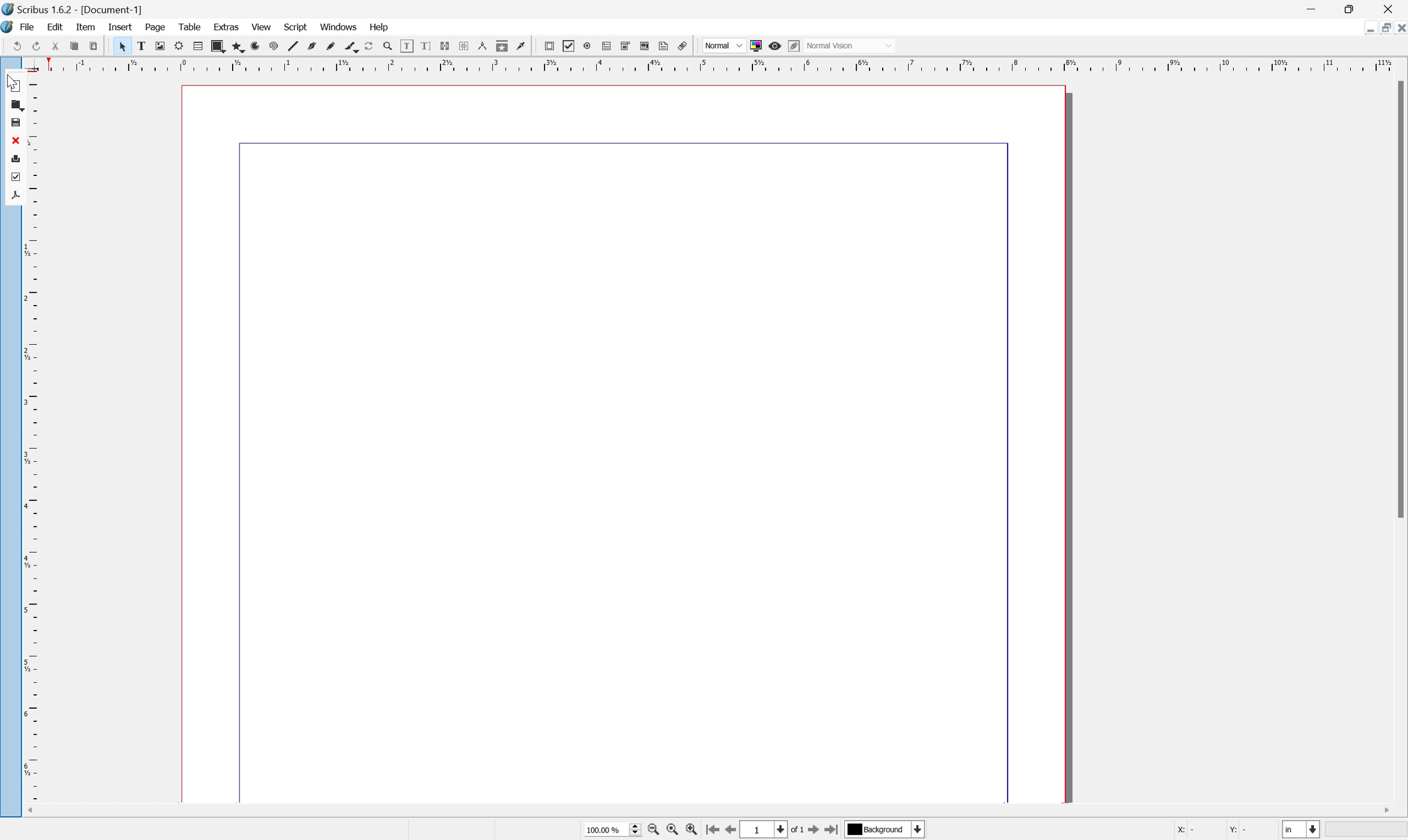 The width and height of the screenshot is (1408, 840). I want to click on close, so click(16, 139).